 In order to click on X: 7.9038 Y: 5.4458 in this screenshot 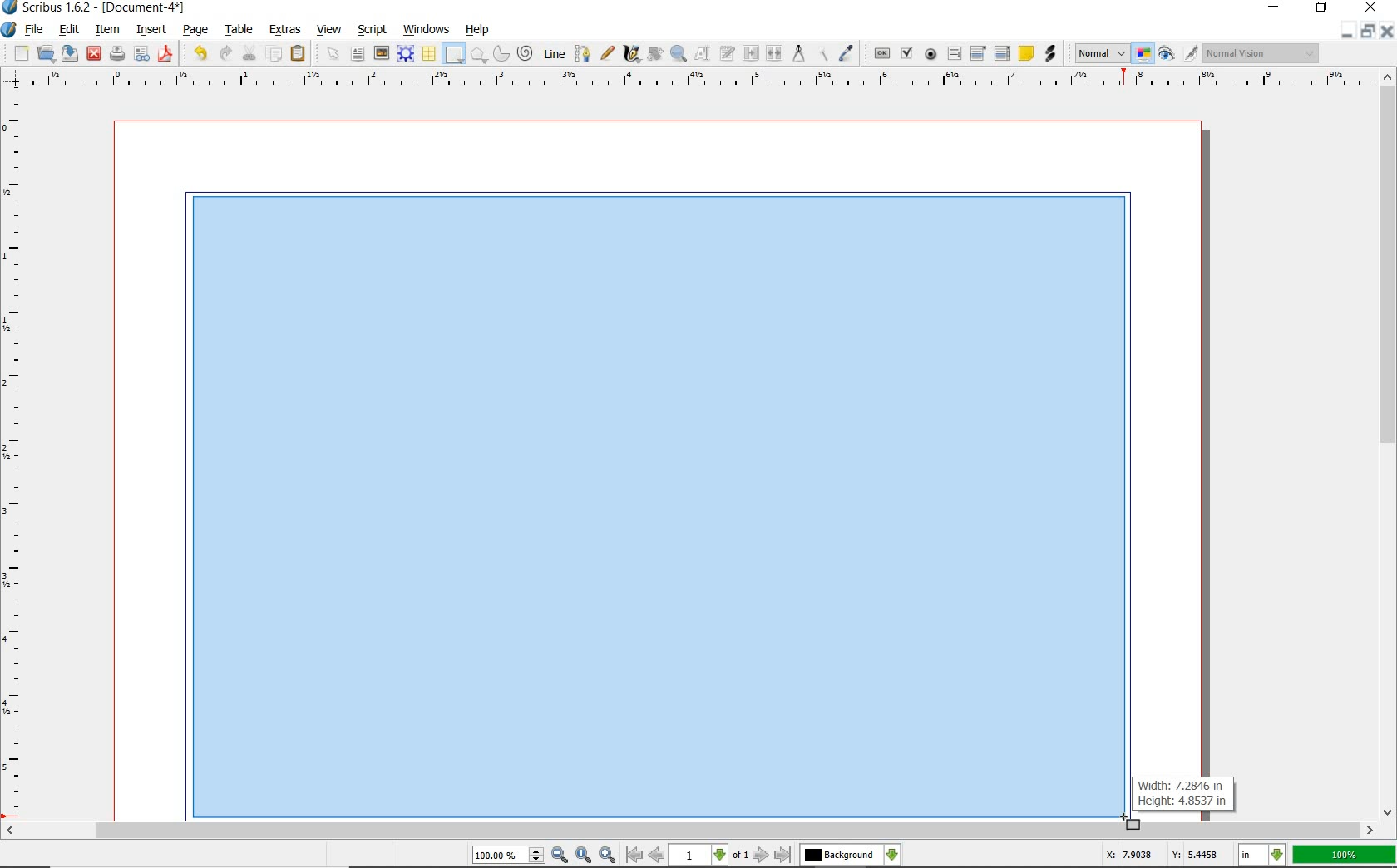, I will do `click(1159, 855)`.